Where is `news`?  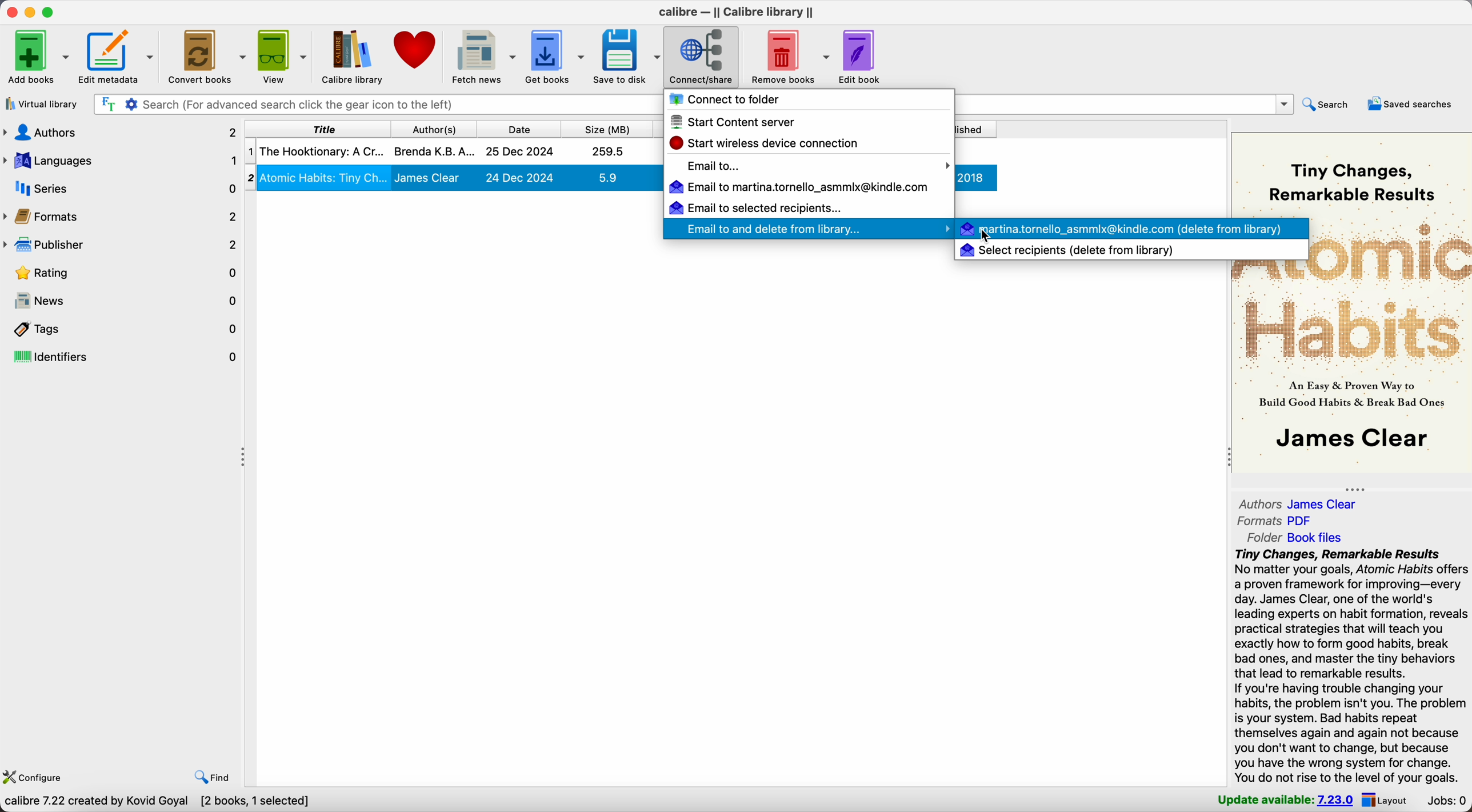 news is located at coordinates (122, 301).